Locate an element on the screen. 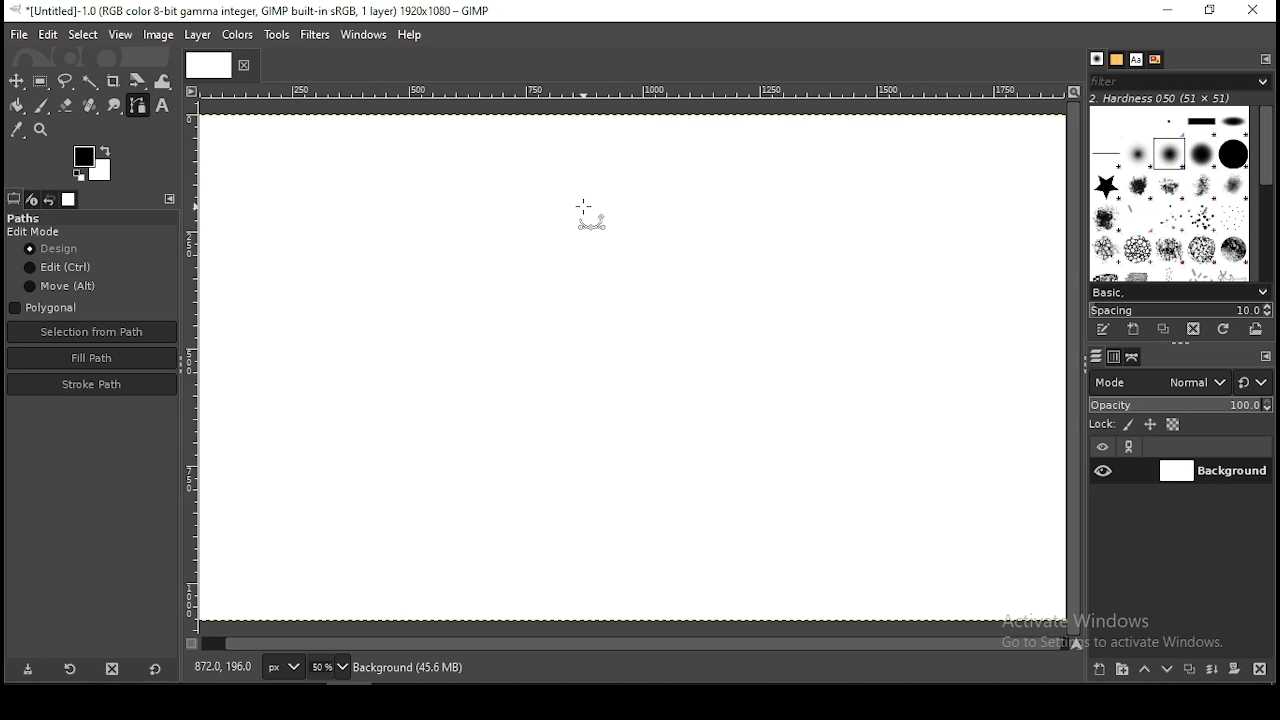 This screenshot has width=1280, height=720. layer visibility on/off is located at coordinates (1104, 470).